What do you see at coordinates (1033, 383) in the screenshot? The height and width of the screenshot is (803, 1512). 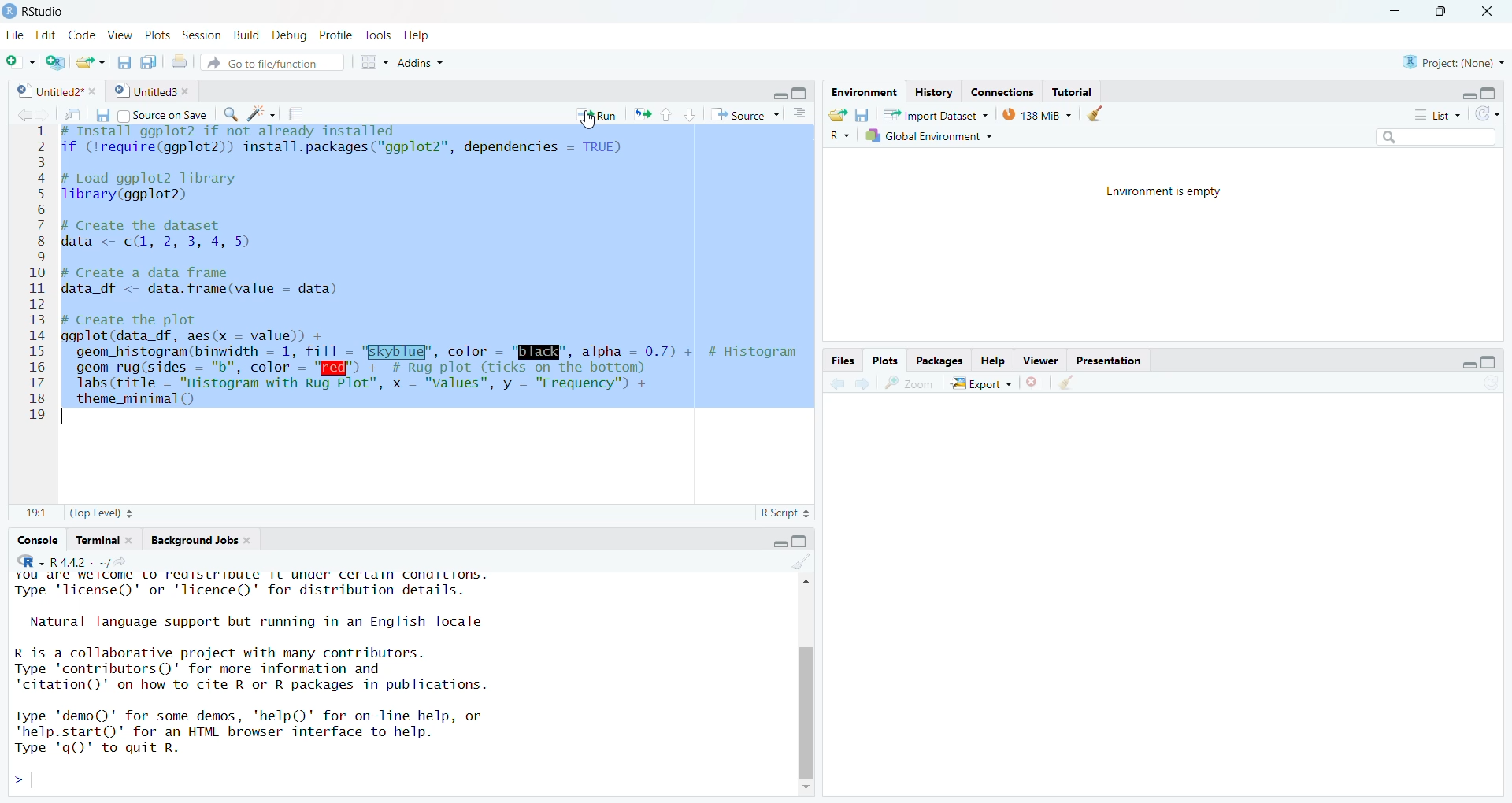 I see `Remove current viewer` at bounding box center [1033, 383].